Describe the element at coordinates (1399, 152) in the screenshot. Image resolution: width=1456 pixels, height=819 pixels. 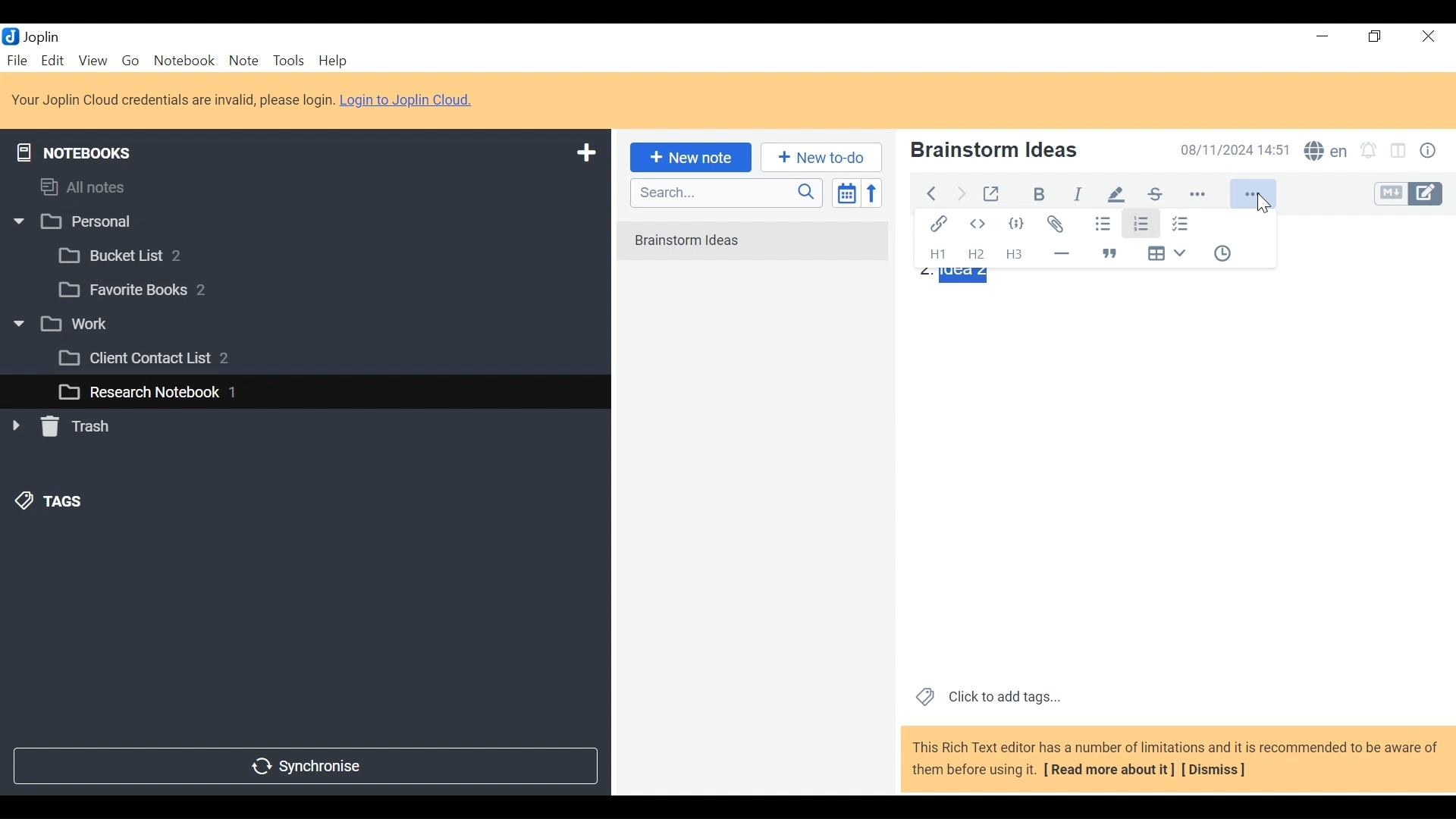
I see `Toggle Editor layout` at that location.